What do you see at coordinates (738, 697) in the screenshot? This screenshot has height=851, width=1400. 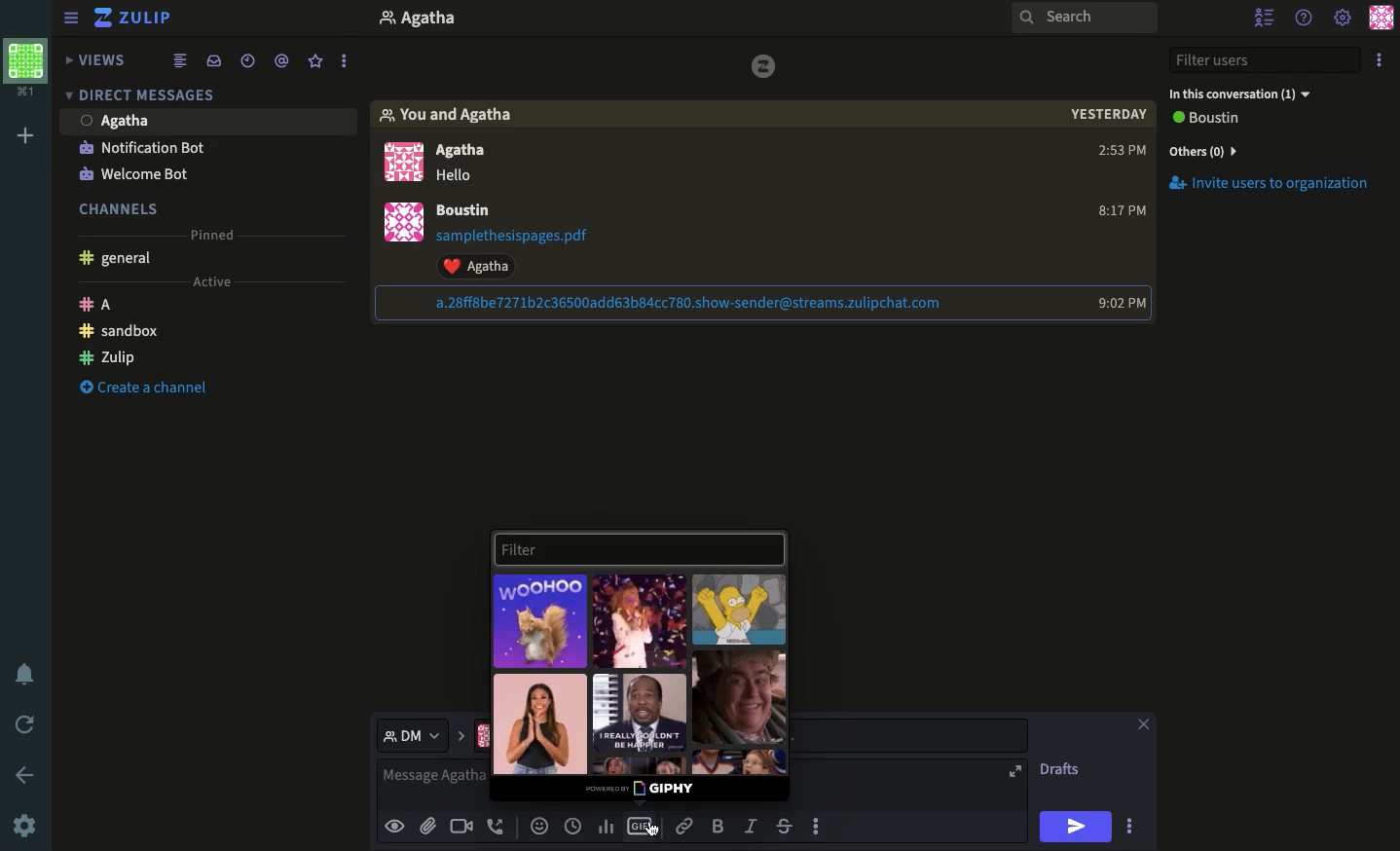 I see `GIF` at bounding box center [738, 697].